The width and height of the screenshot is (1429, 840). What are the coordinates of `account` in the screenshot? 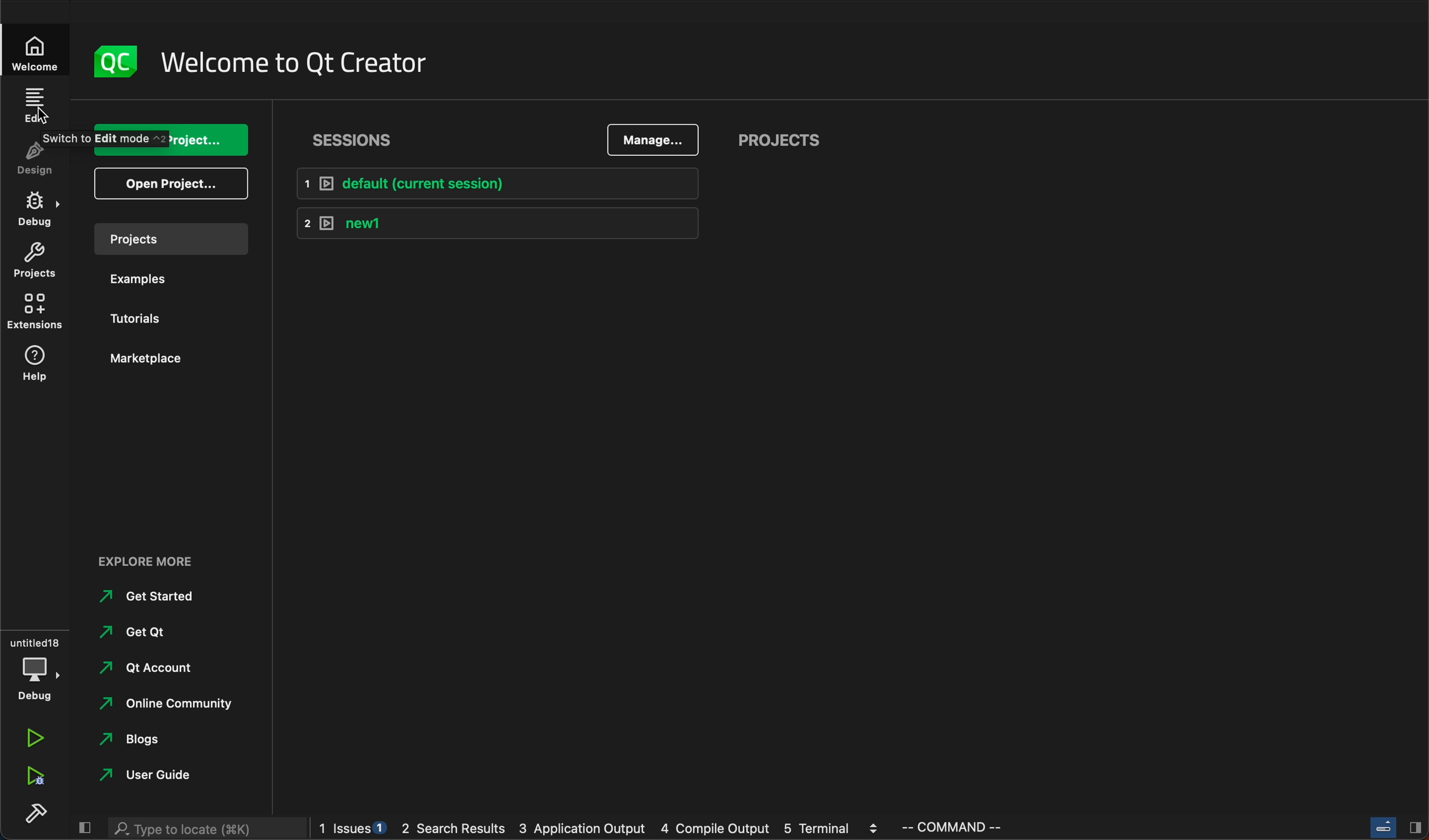 It's located at (150, 668).